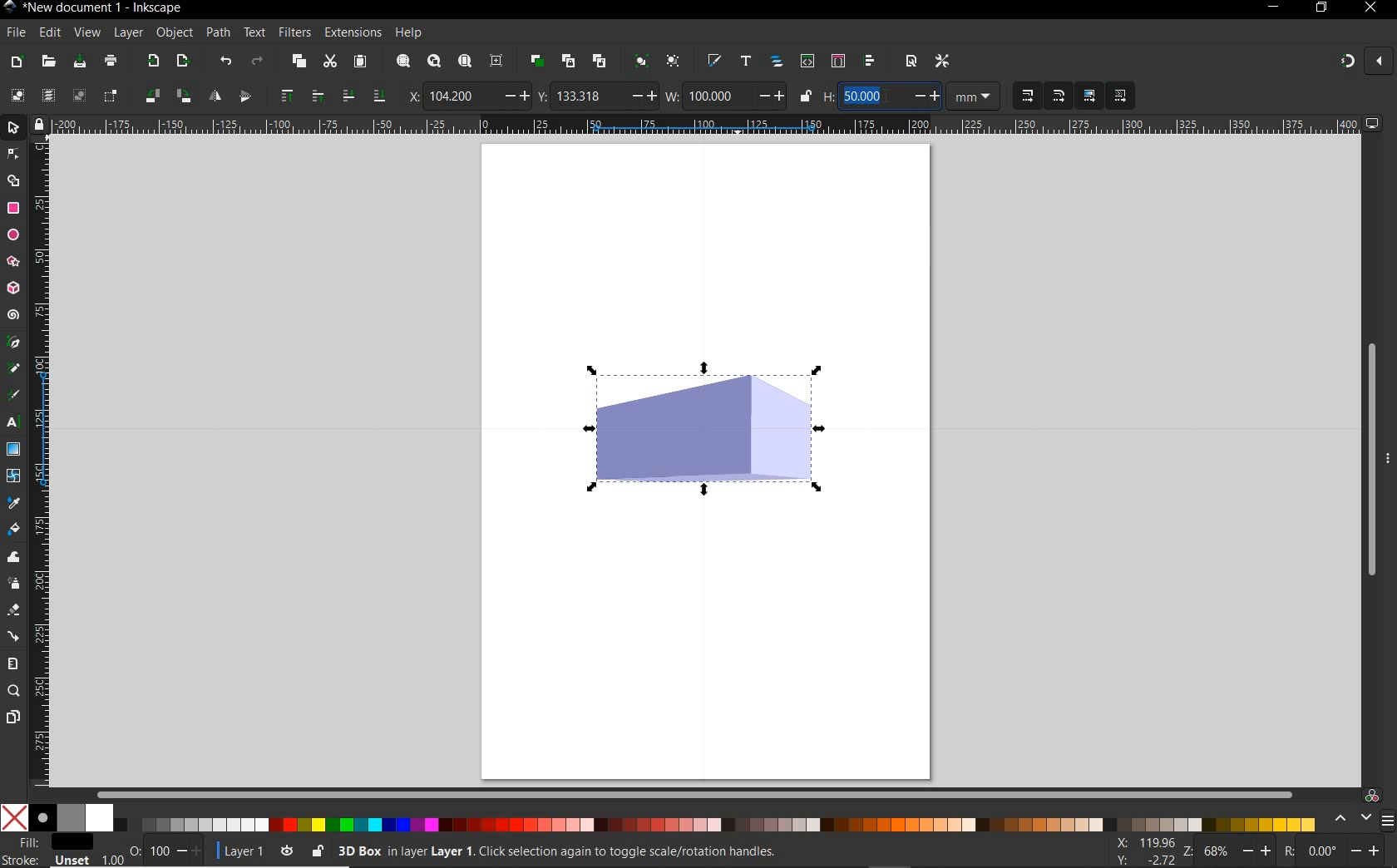 The image size is (1397, 868). What do you see at coordinates (1256, 853) in the screenshot?
I see `increase/decrease` at bounding box center [1256, 853].